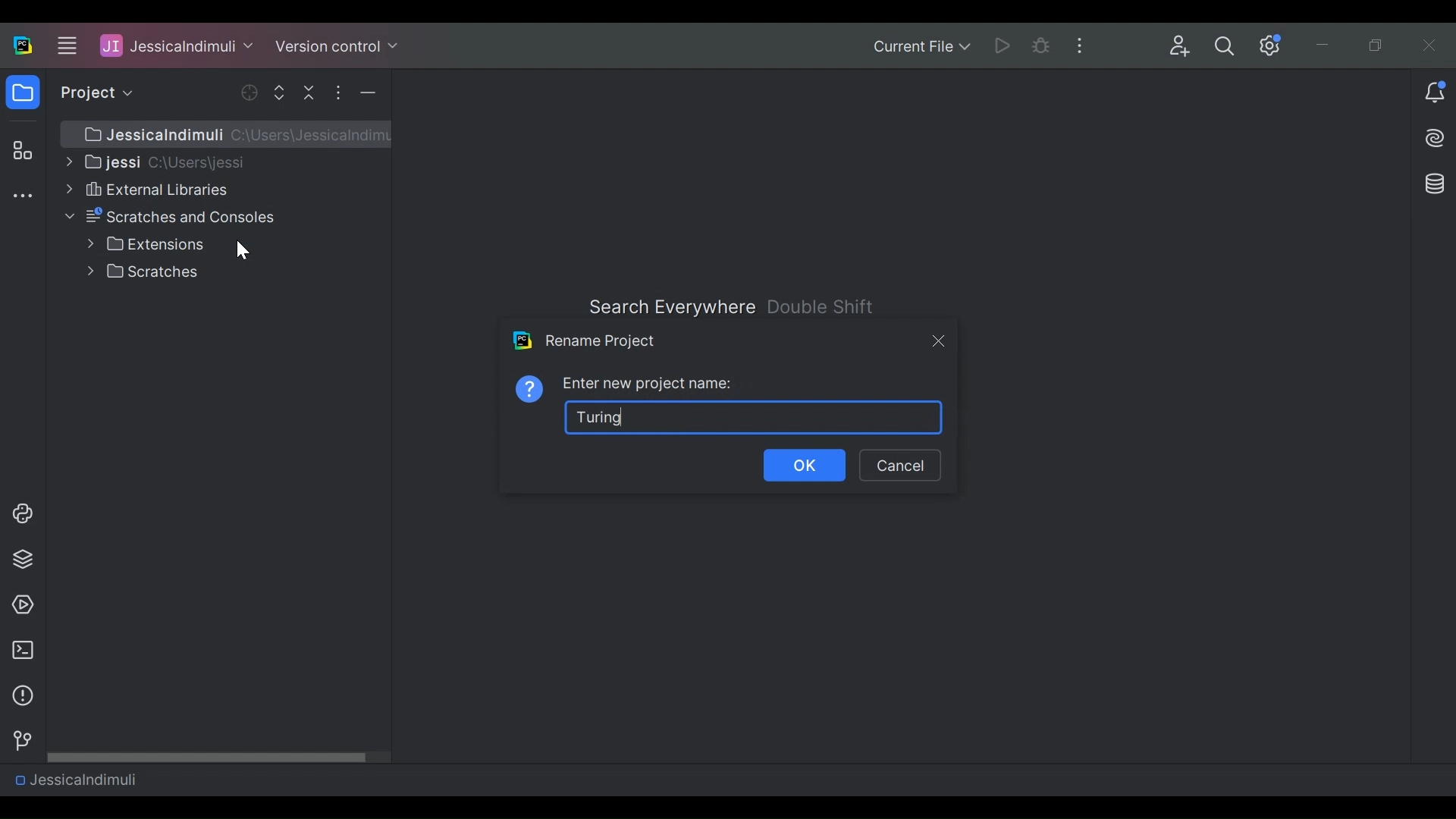  What do you see at coordinates (232, 134) in the screenshot?
I see `Project Path` at bounding box center [232, 134].